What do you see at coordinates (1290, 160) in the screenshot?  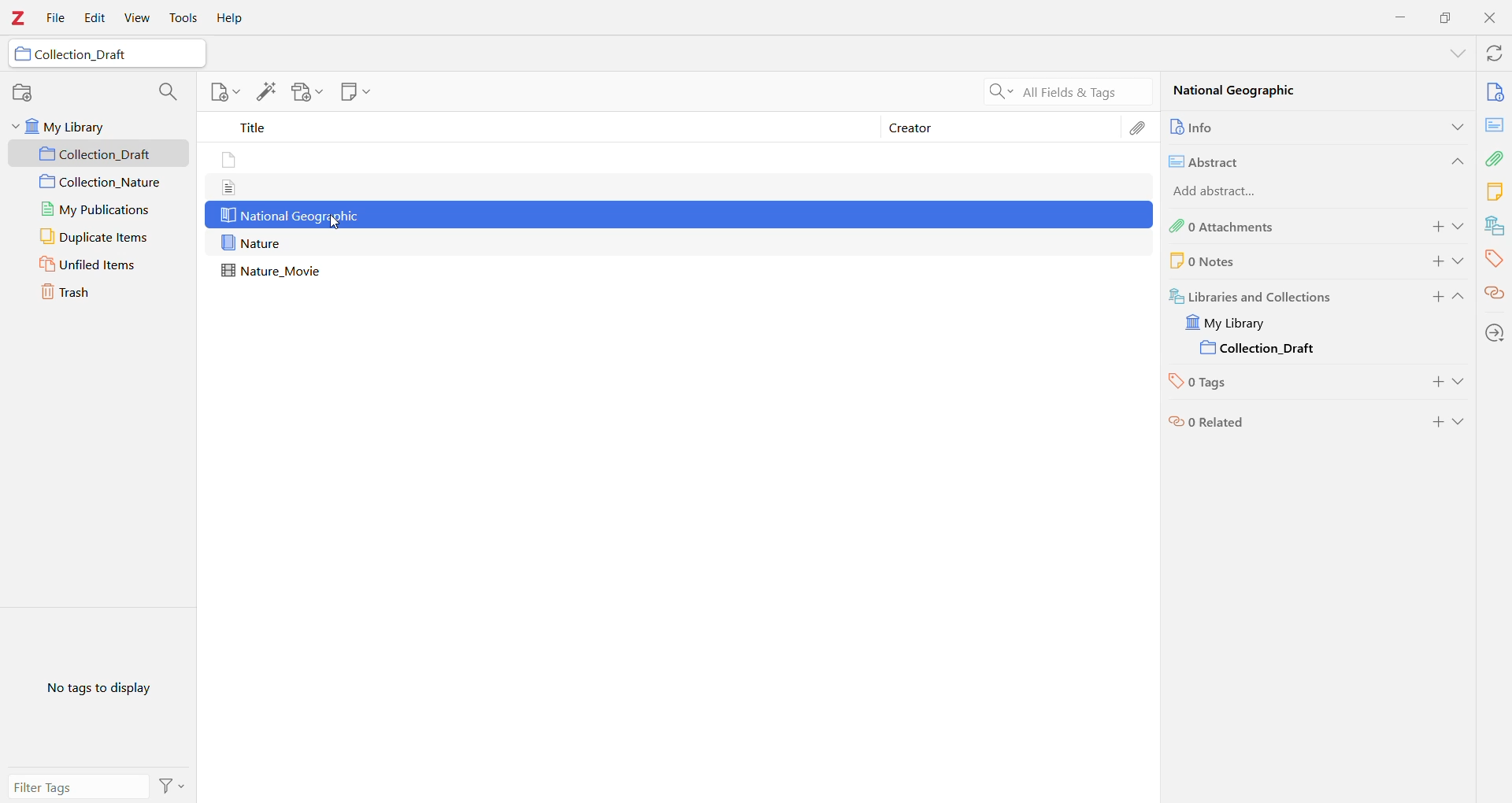 I see `Abstract` at bounding box center [1290, 160].